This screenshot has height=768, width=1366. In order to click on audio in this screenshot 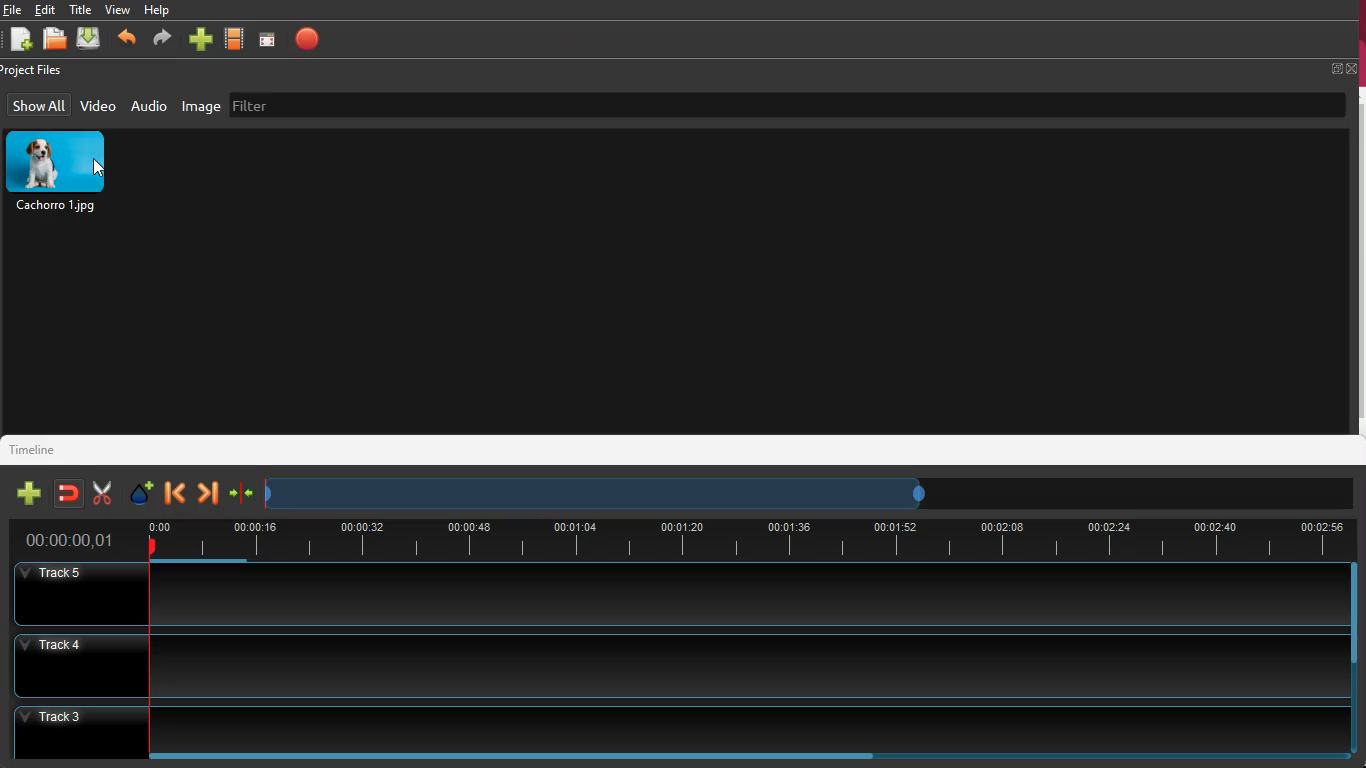, I will do `click(151, 108)`.